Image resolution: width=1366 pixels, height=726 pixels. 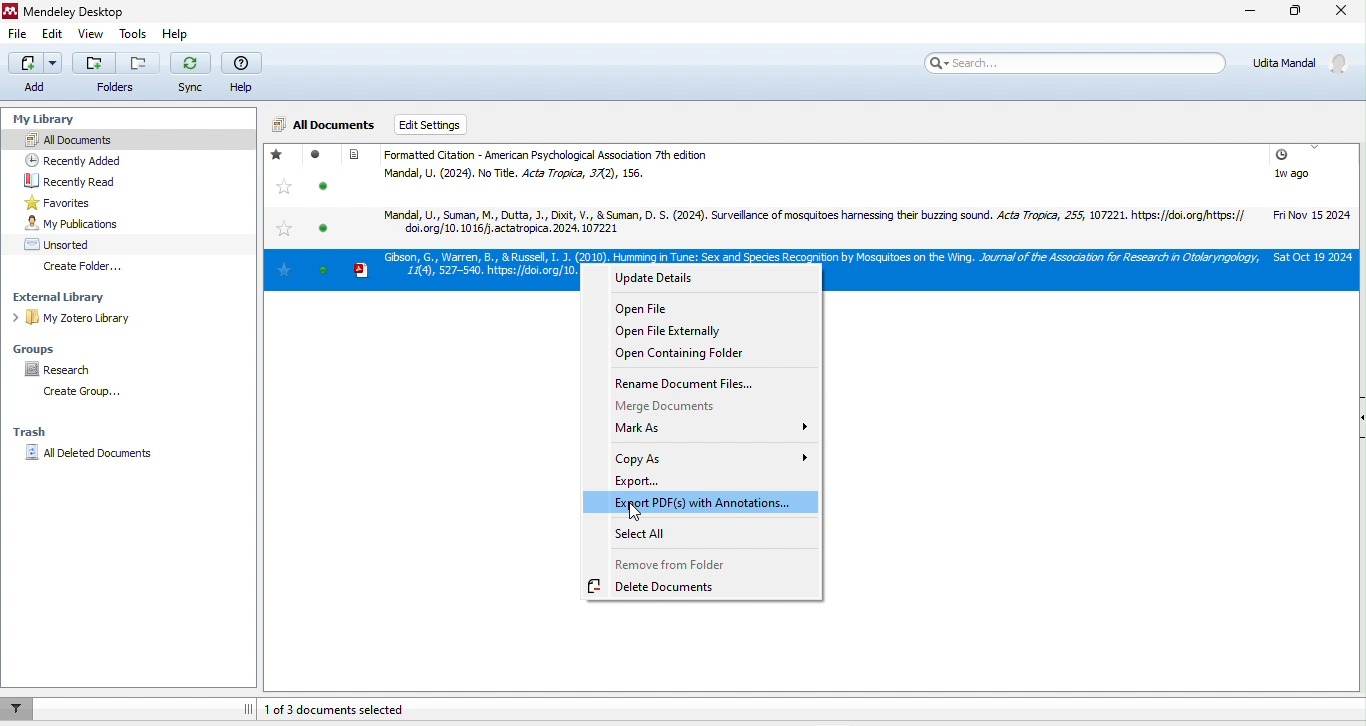 What do you see at coordinates (661, 311) in the screenshot?
I see `open file` at bounding box center [661, 311].